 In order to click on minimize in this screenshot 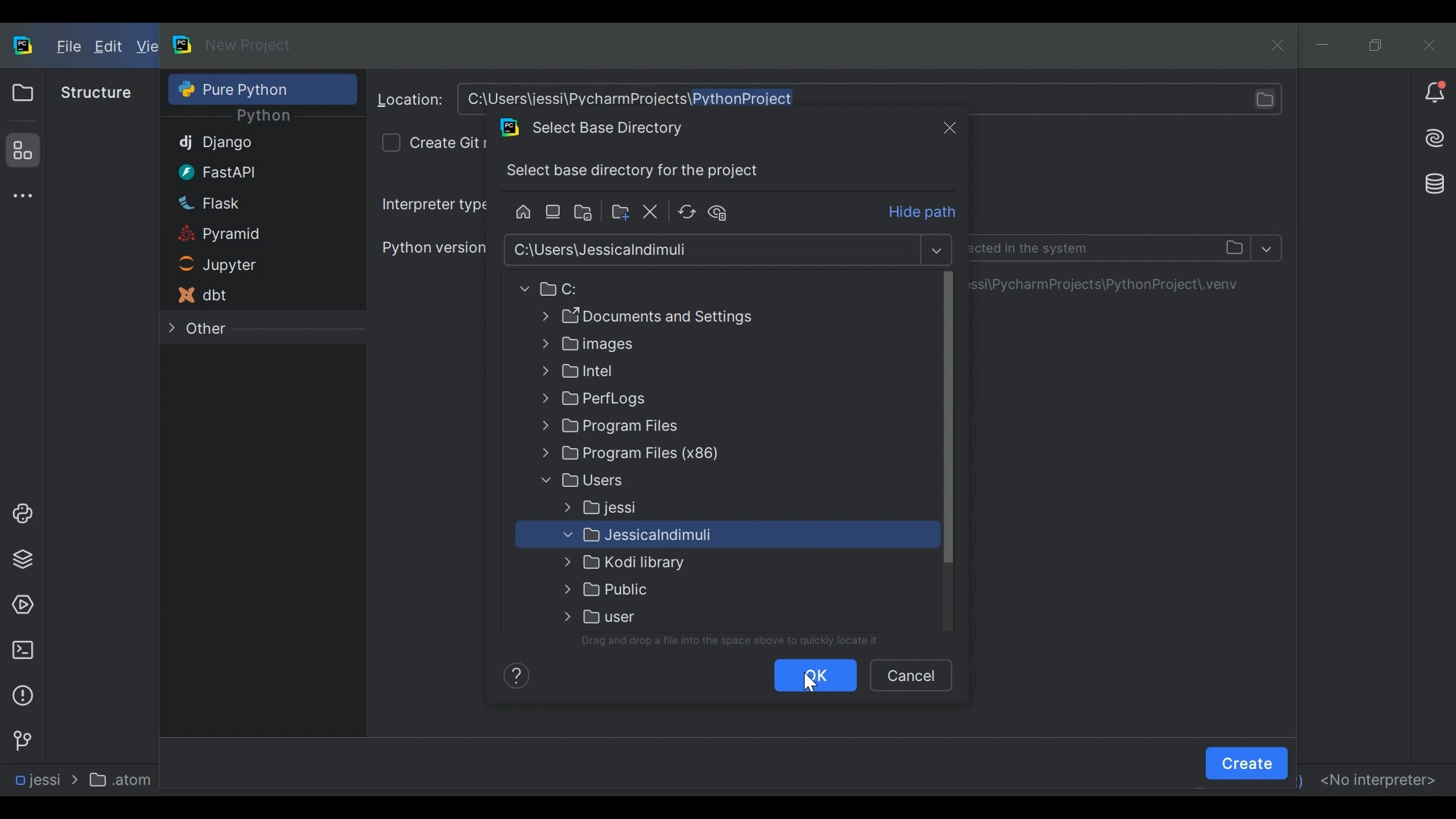, I will do `click(1325, 45)`.